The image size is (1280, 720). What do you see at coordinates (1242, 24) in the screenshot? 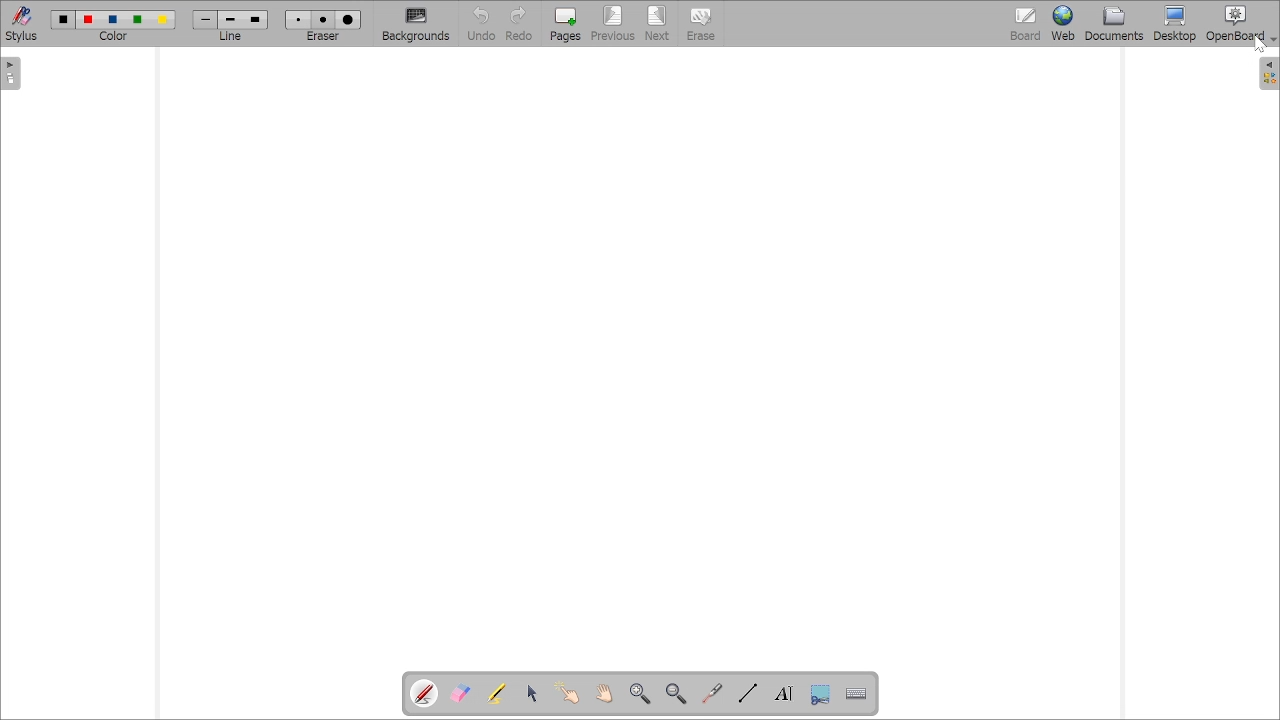
I see `OpenBoard` at bounding box center [1242, 24].